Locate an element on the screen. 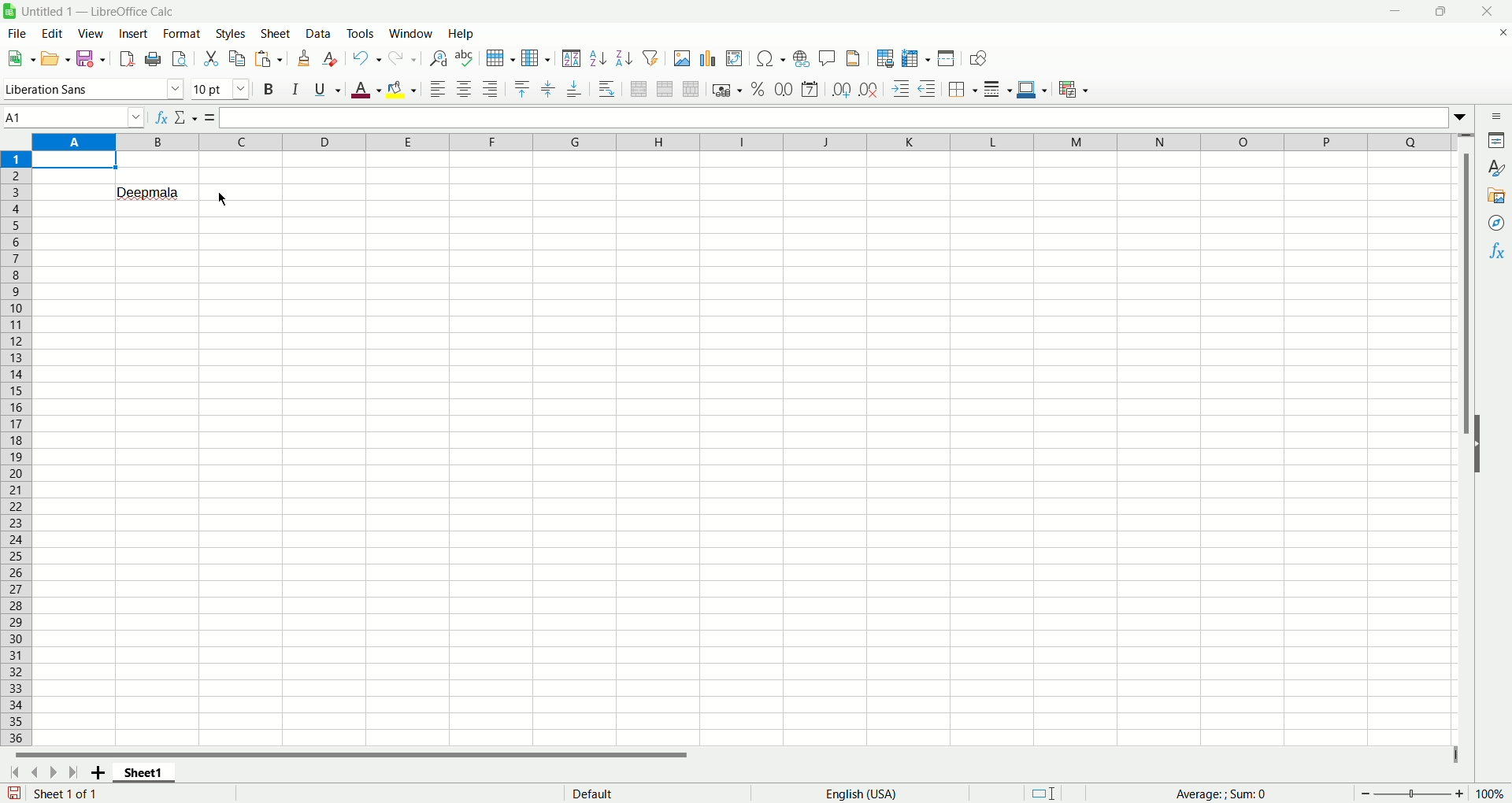  function wizard is located at coordinates (161, 117).